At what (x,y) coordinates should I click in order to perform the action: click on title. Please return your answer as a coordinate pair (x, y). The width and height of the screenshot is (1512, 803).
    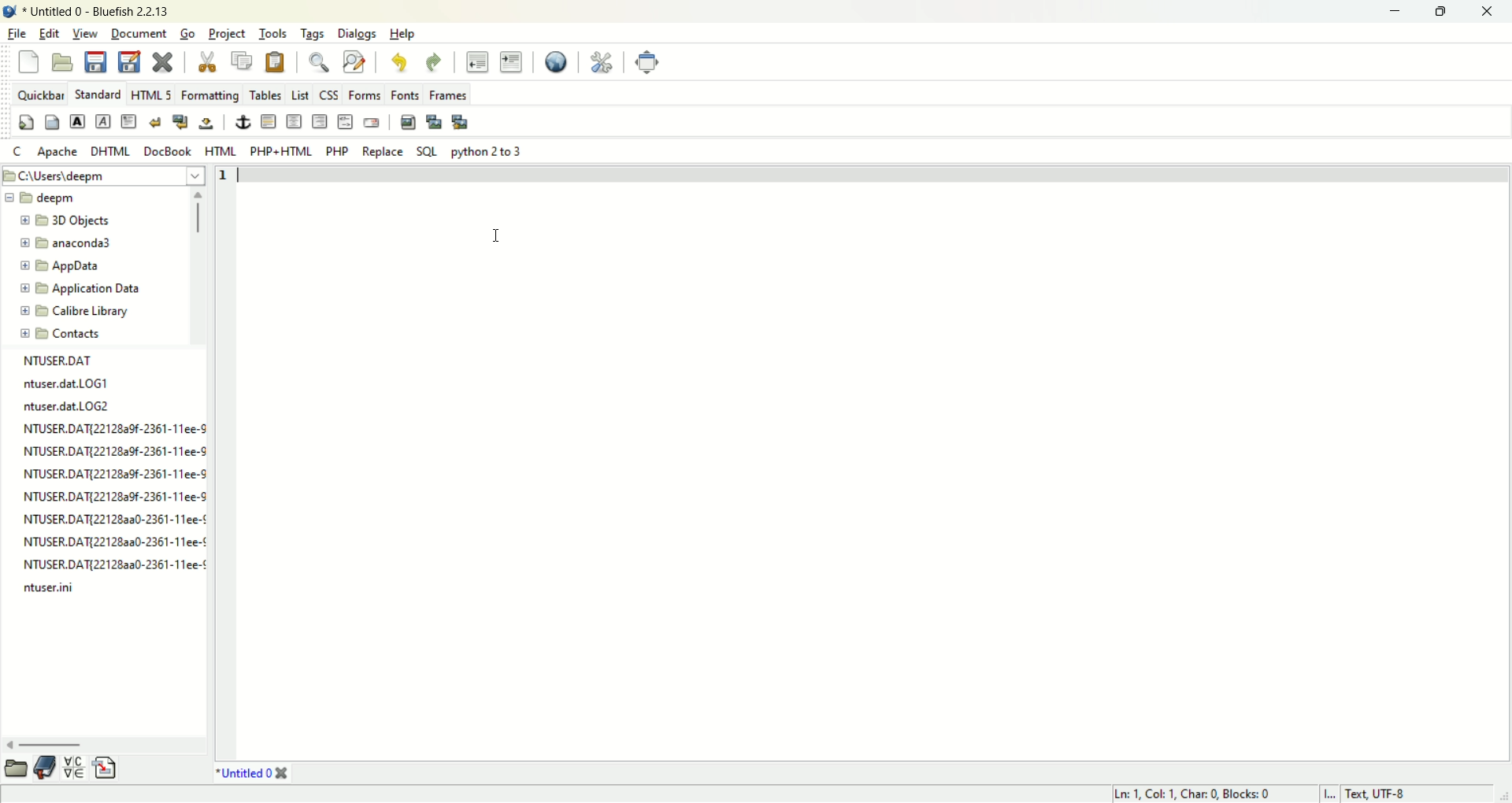
    Looking at the image, I should click on (251, 774).